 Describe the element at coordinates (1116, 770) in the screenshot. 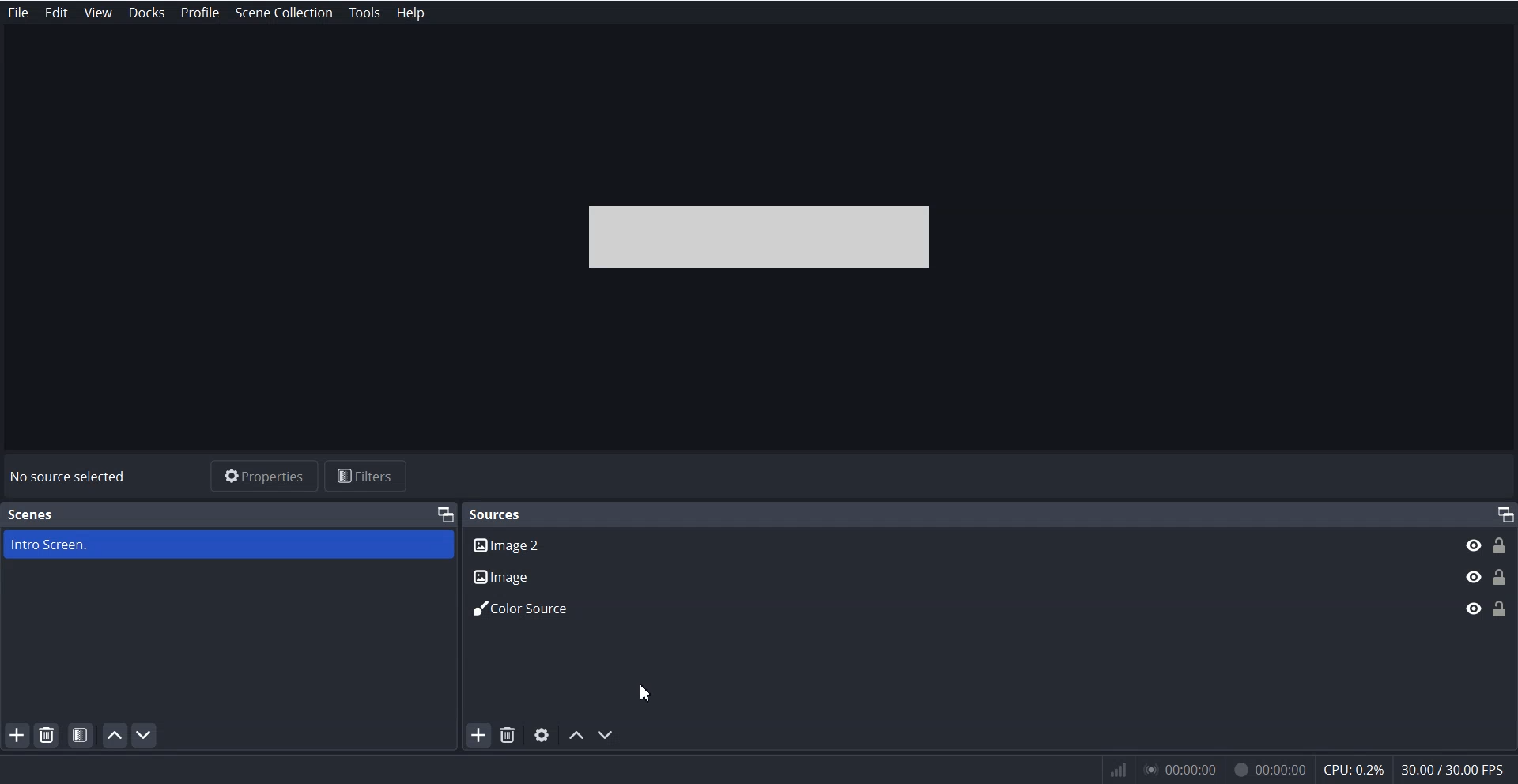

I see `network` at that location.